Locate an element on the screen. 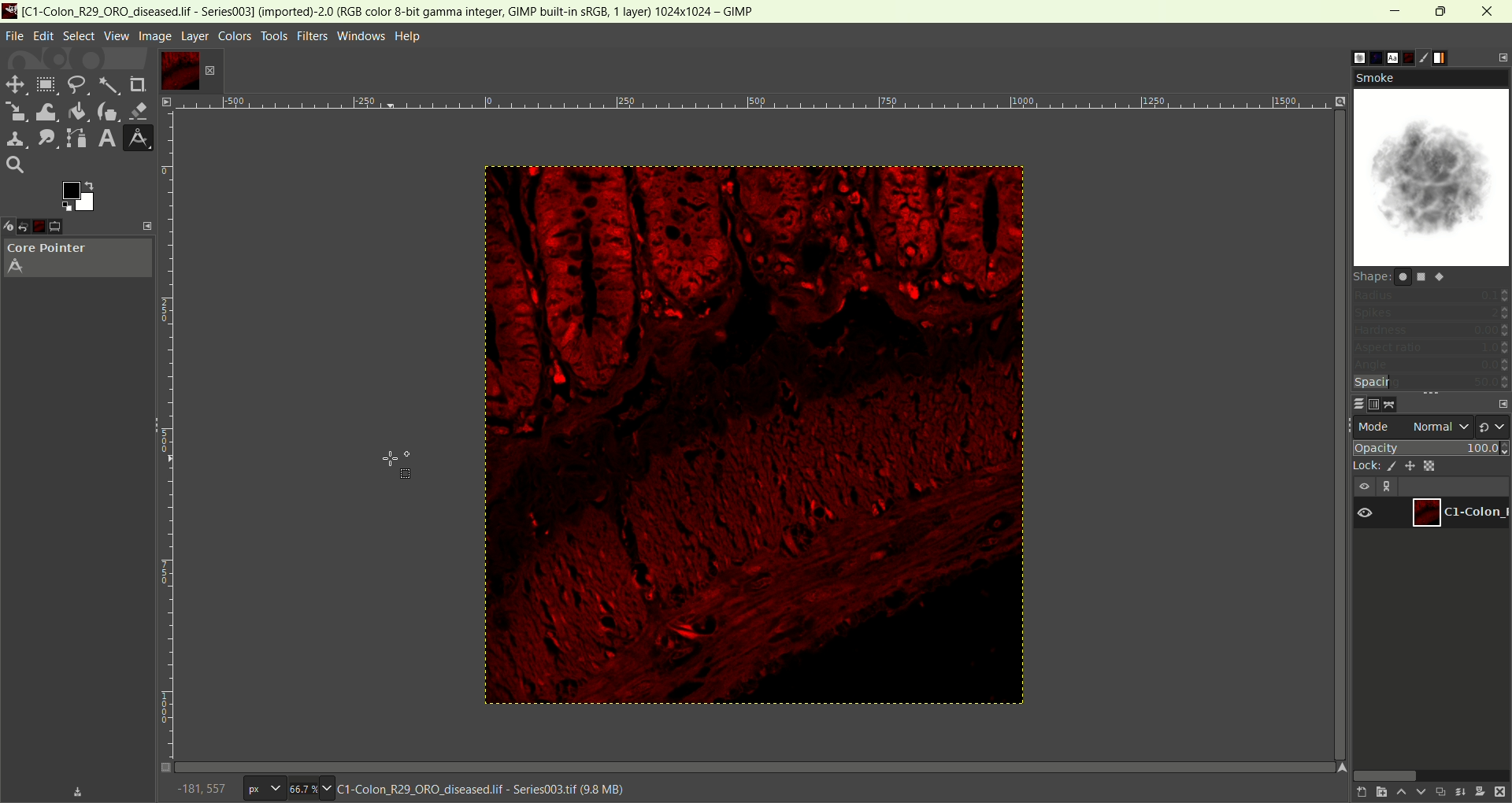 This screenshot has width=1512, height=803. smudge tool is located at coordinates (43, 138).